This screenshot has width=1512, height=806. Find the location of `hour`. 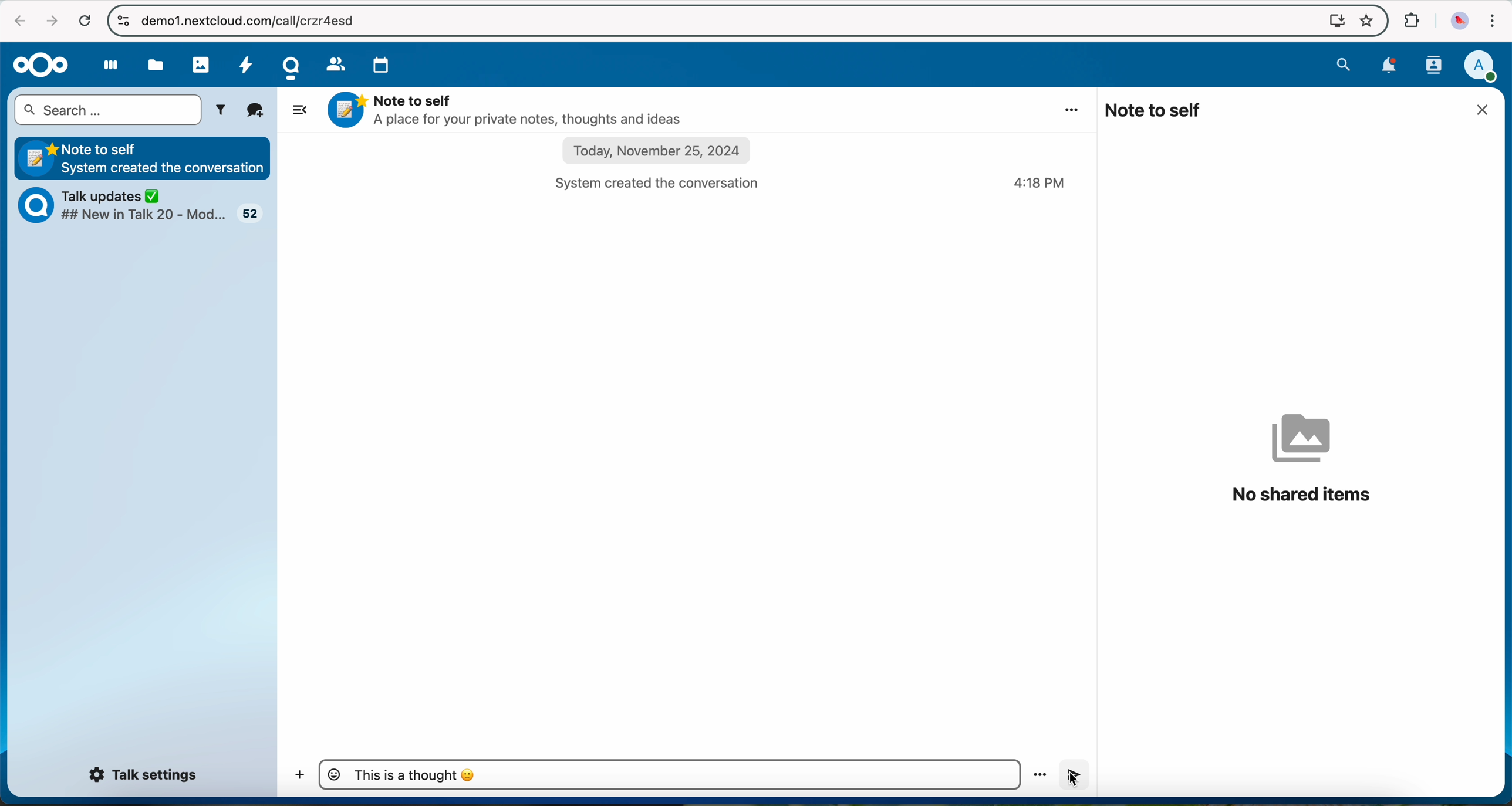

hour is located at coordinates (1041, 184).